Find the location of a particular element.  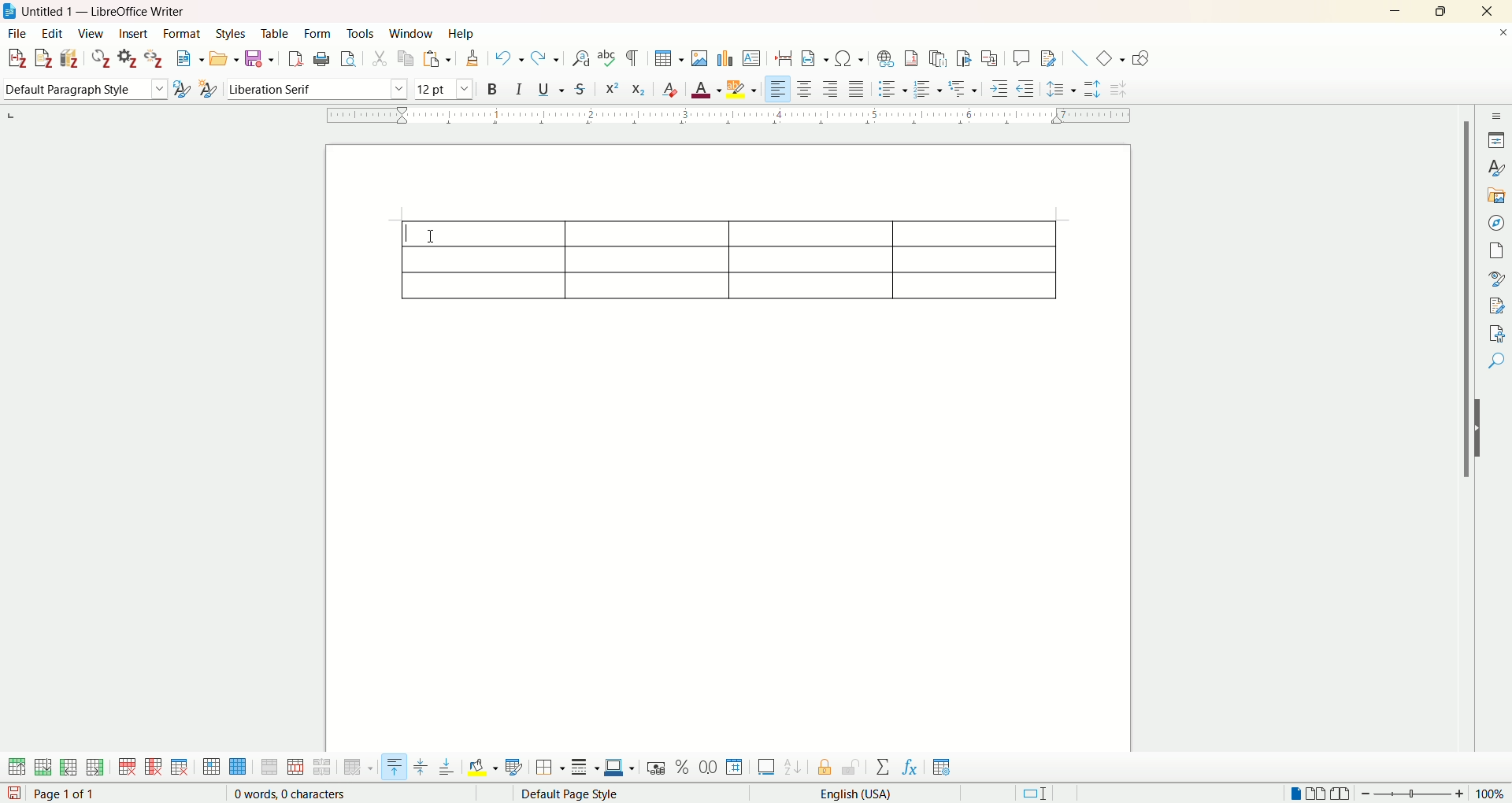

font size is located at coordinates (443, 91).